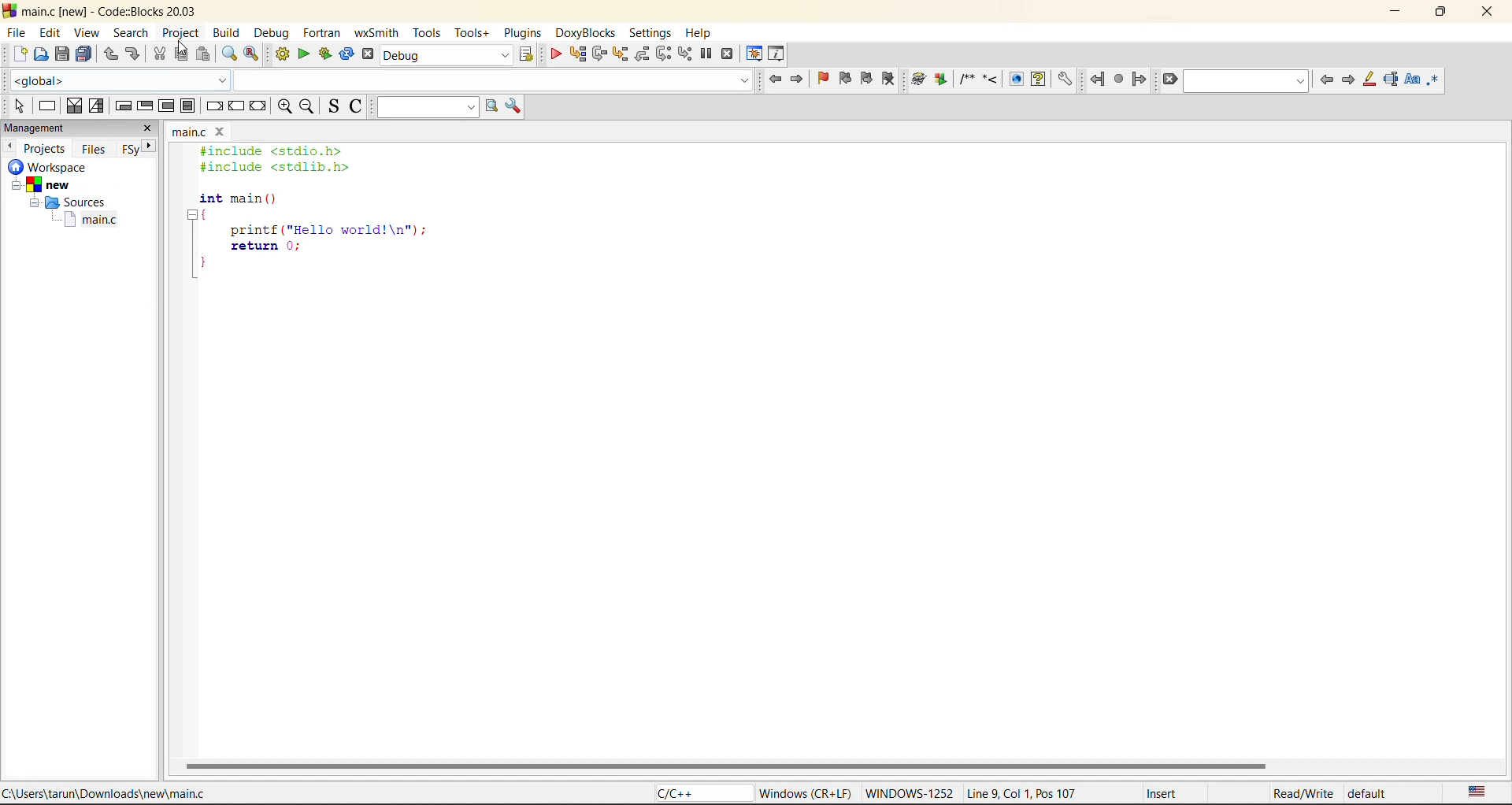  Describe the element at coordinates (620, 56) in the screenshot. I see `step into` at that location.